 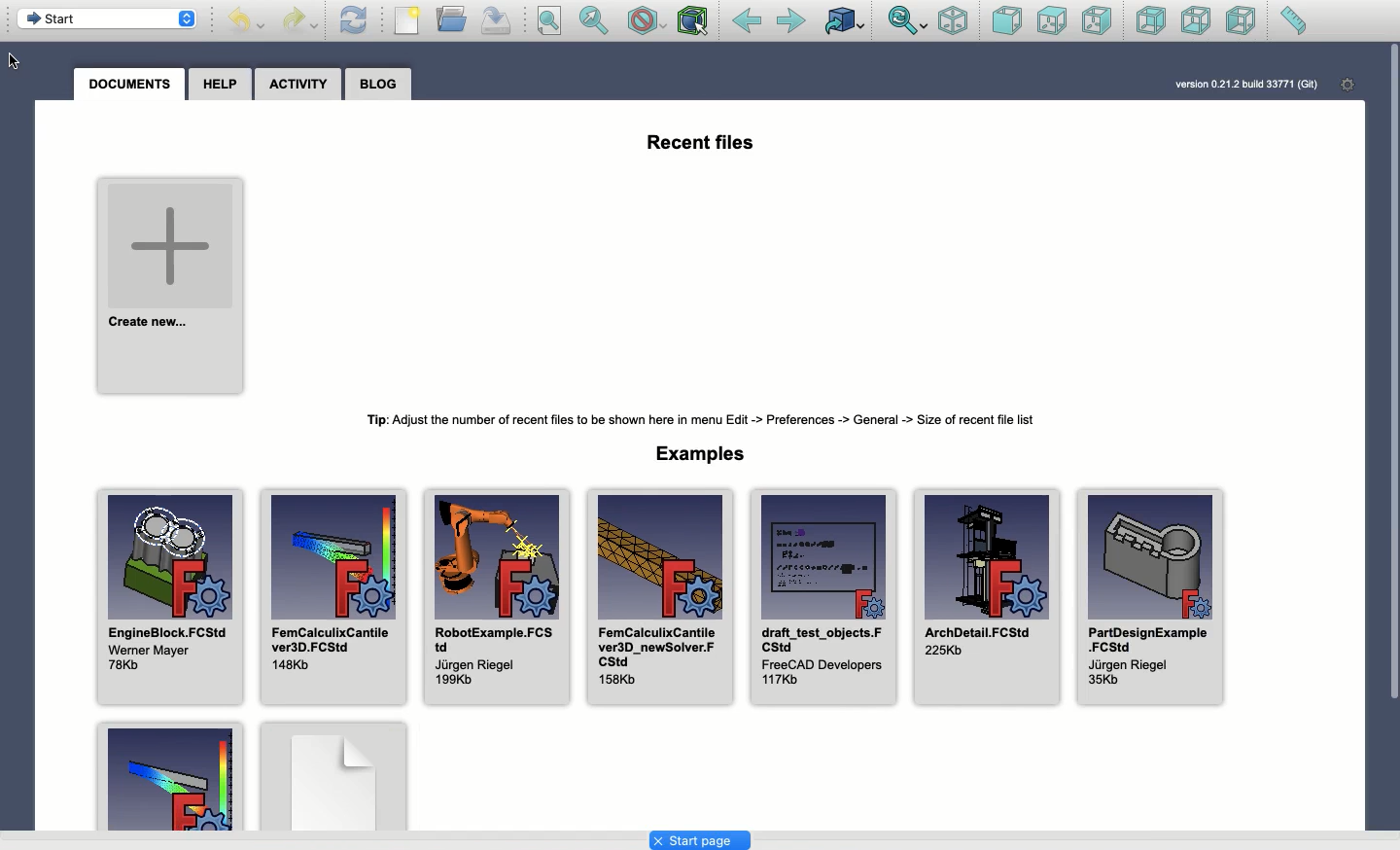 I want to click on FemCalculixCantilever3D.FCStd, so click(x=334, y=598).